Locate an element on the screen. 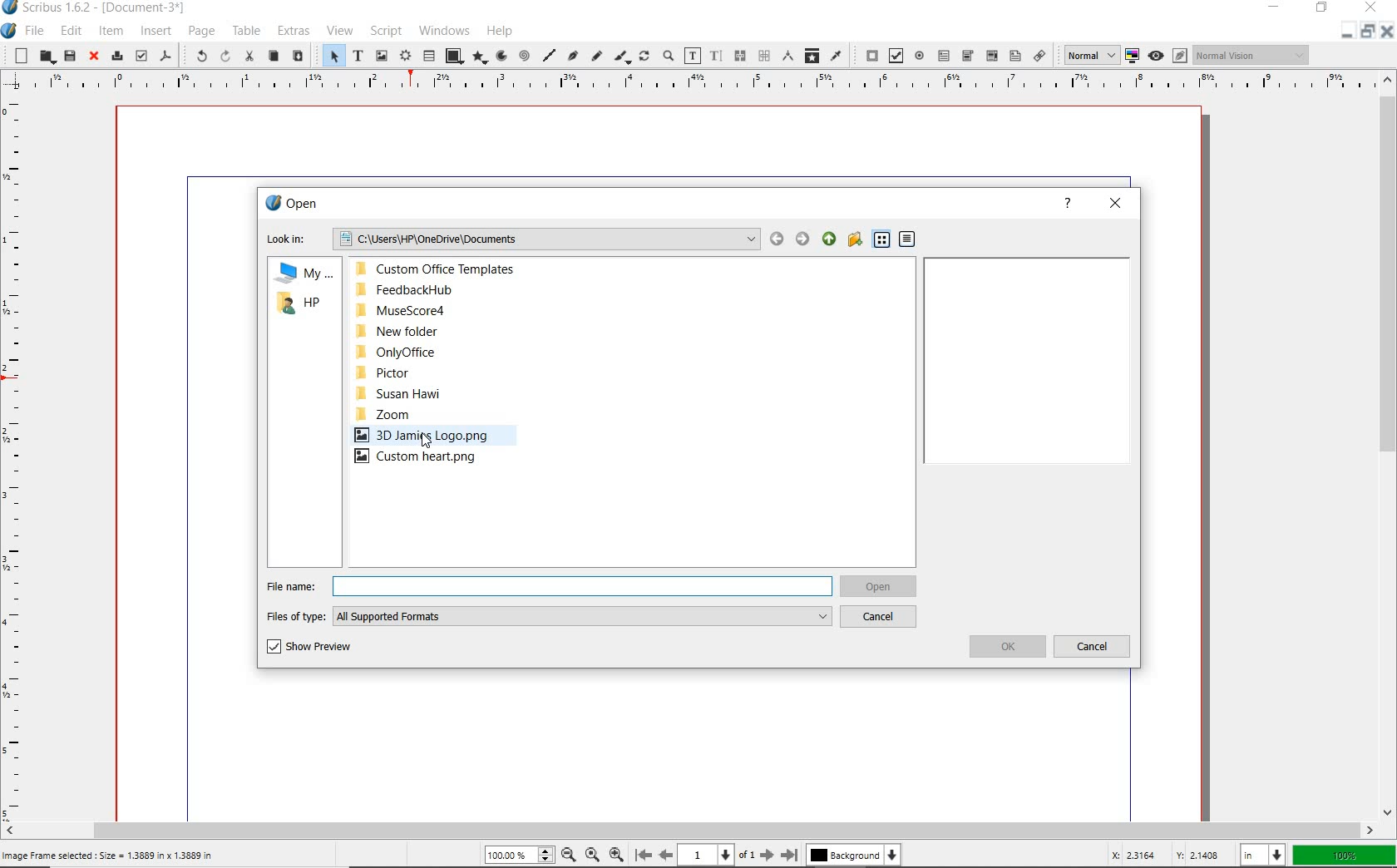  coordinates is located at coordinates (1155, 856).